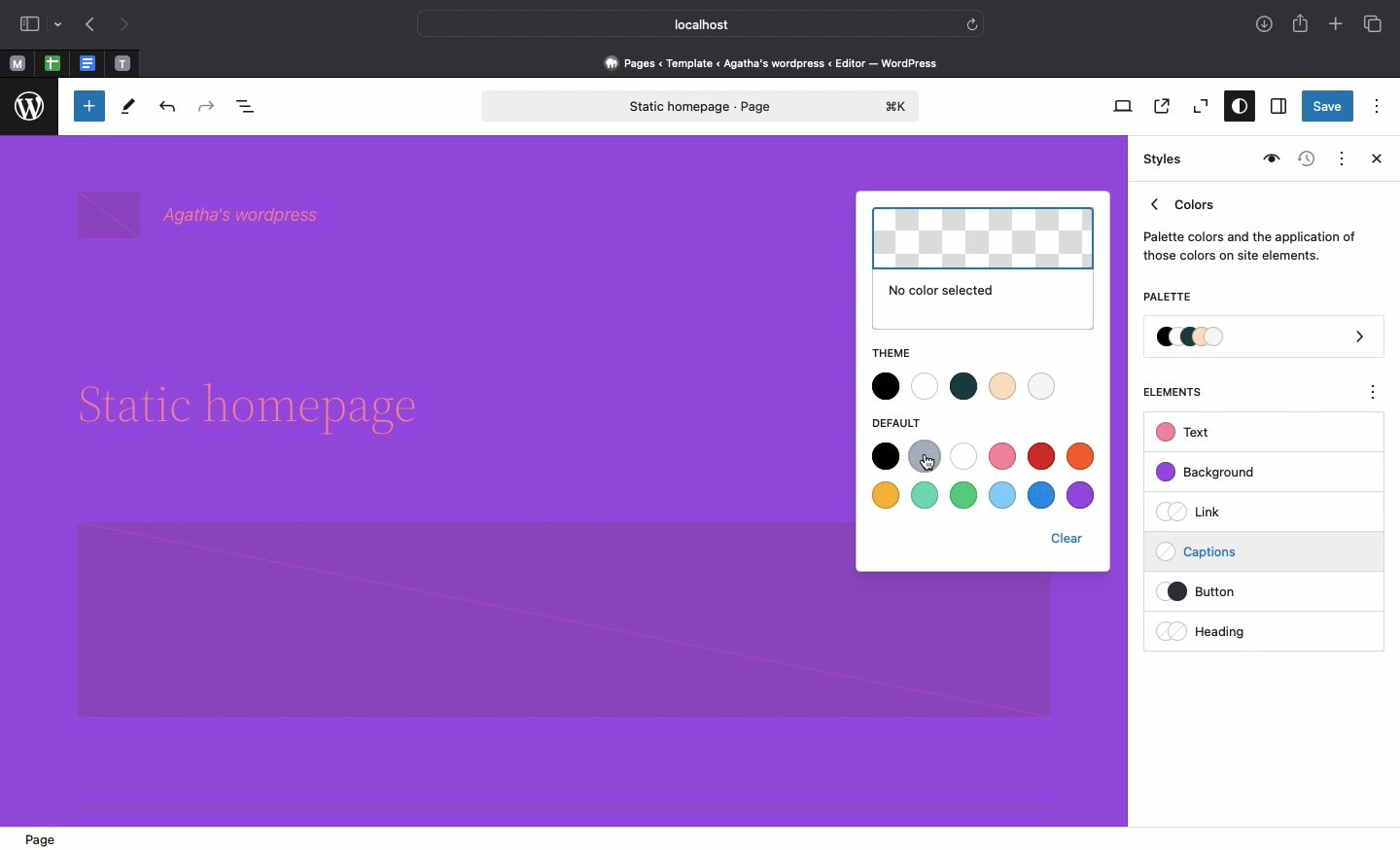 This screenshot has height=850, width=1400. I want to click on wordpress, so click(30, 107).